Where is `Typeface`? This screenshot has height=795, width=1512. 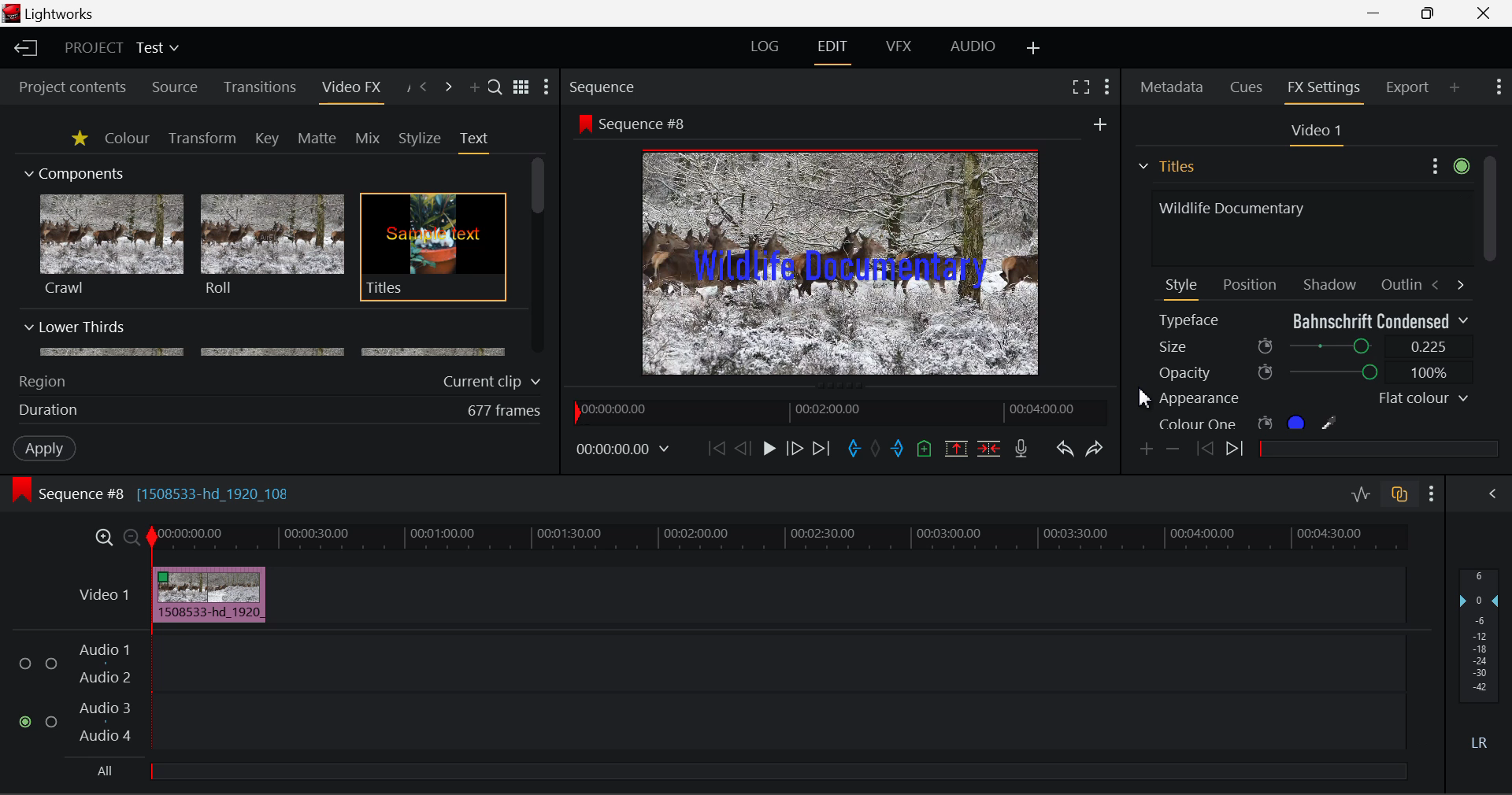
Typeface is located at coordinates (1314, 320).